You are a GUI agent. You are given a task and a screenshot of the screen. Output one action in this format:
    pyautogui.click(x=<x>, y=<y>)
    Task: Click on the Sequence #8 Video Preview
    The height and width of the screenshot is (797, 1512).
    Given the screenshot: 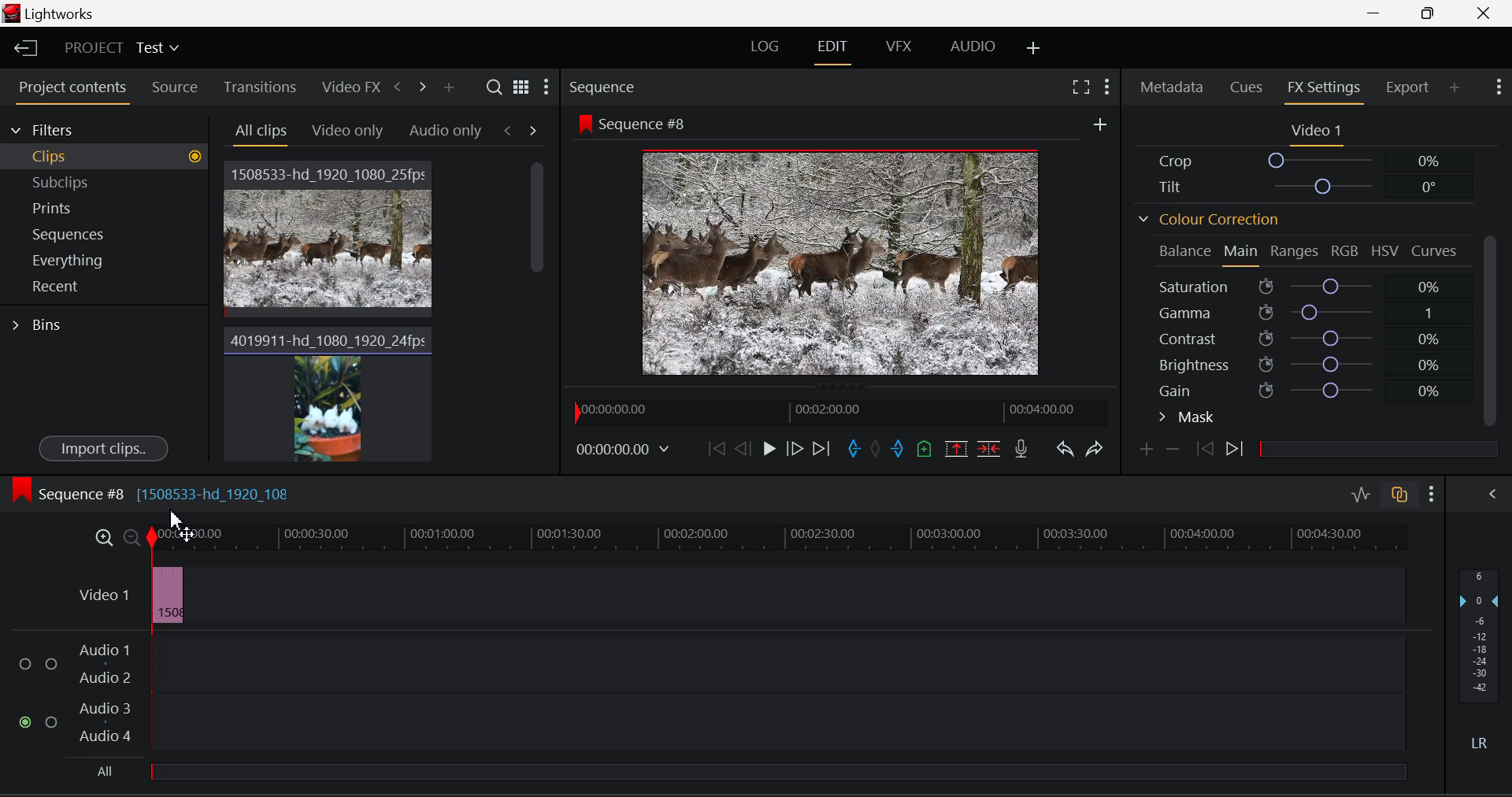 What is the action you would take?
    pyautogui.click(x=840, y=263)
    